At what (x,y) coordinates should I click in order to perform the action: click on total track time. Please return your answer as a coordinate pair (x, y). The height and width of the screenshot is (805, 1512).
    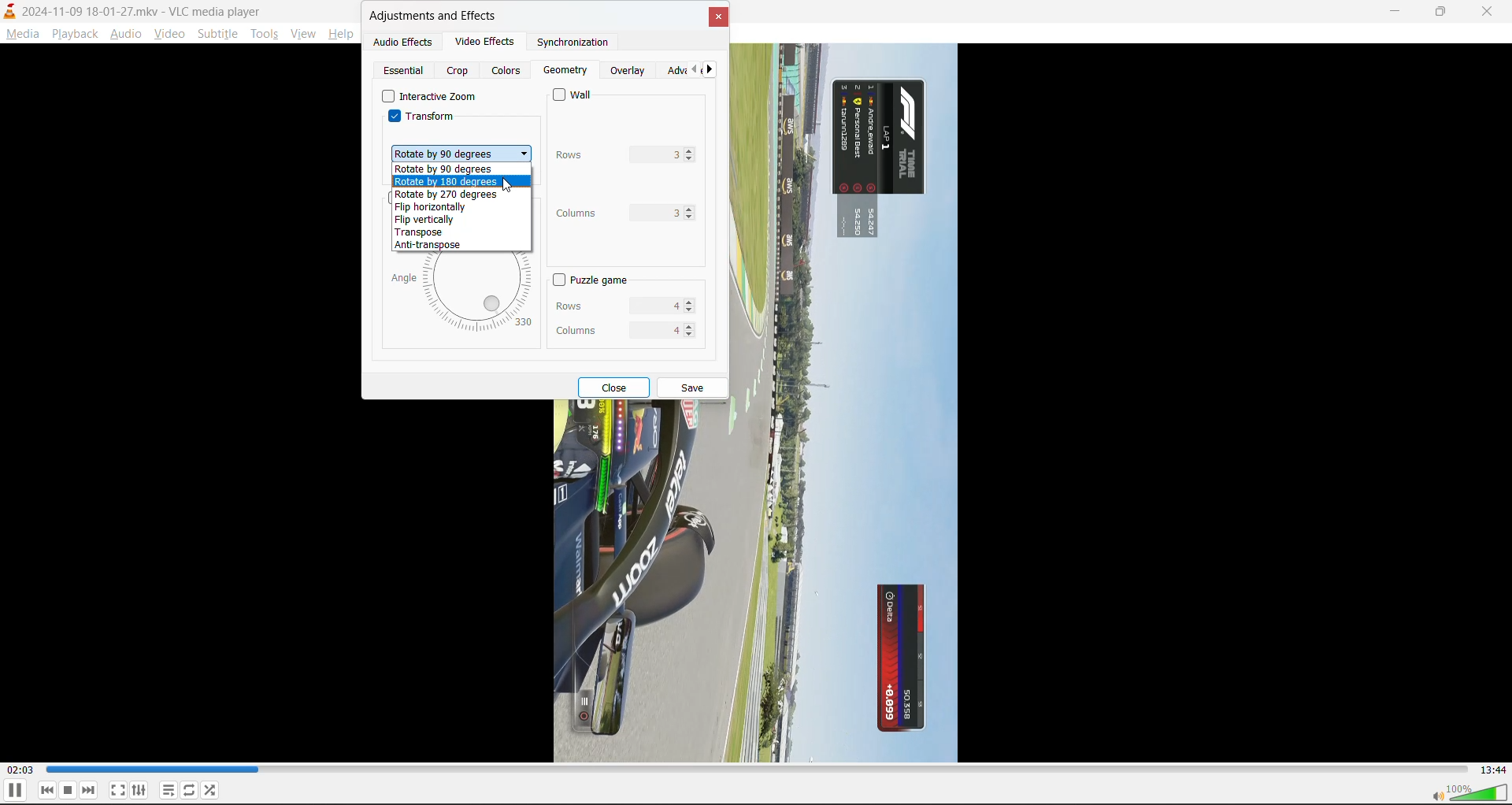
    Looking at the image, I should click on (1489, 768).